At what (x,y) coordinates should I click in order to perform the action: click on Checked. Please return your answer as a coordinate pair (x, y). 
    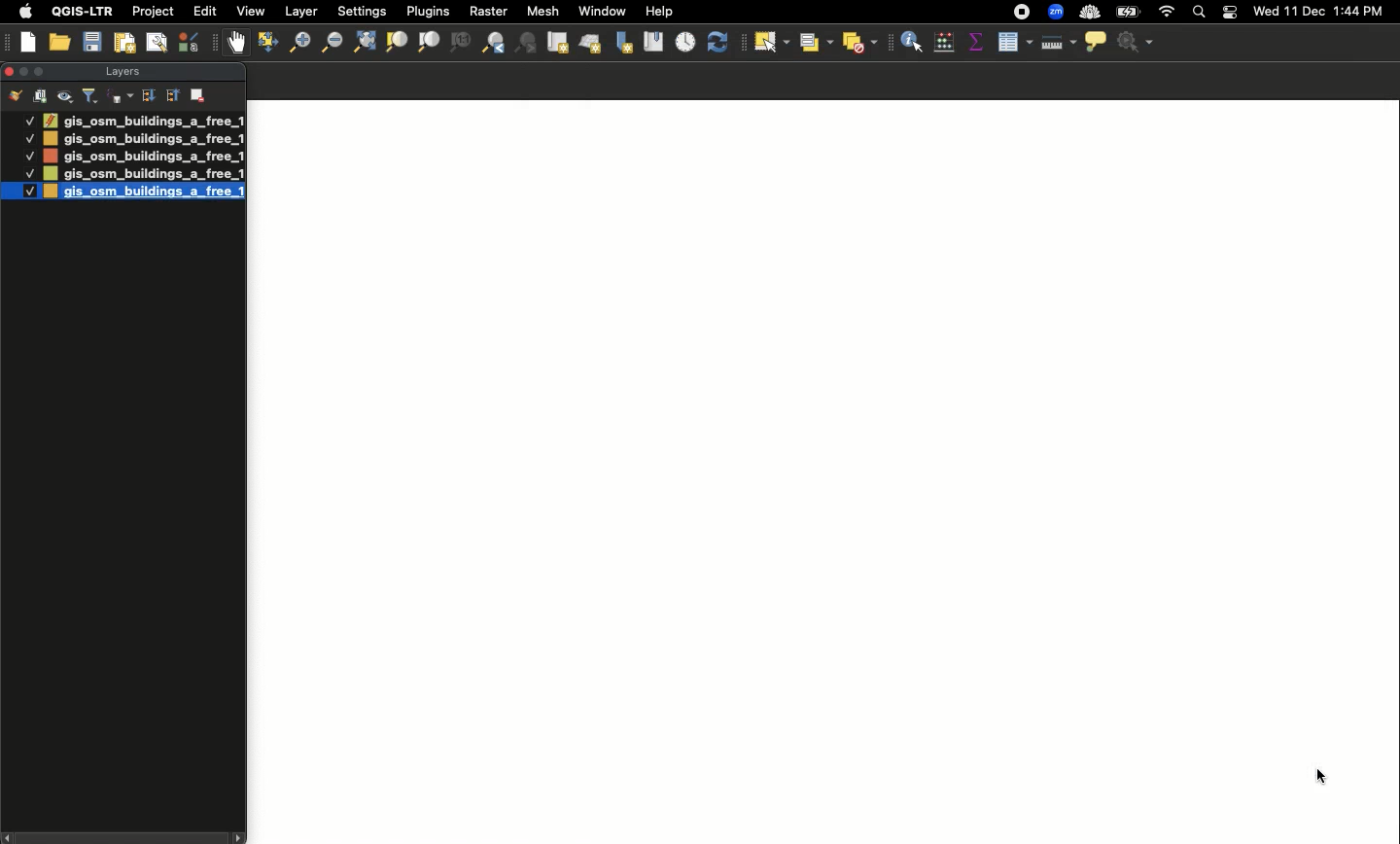
    Looking at the image, I should click on (19, 191).